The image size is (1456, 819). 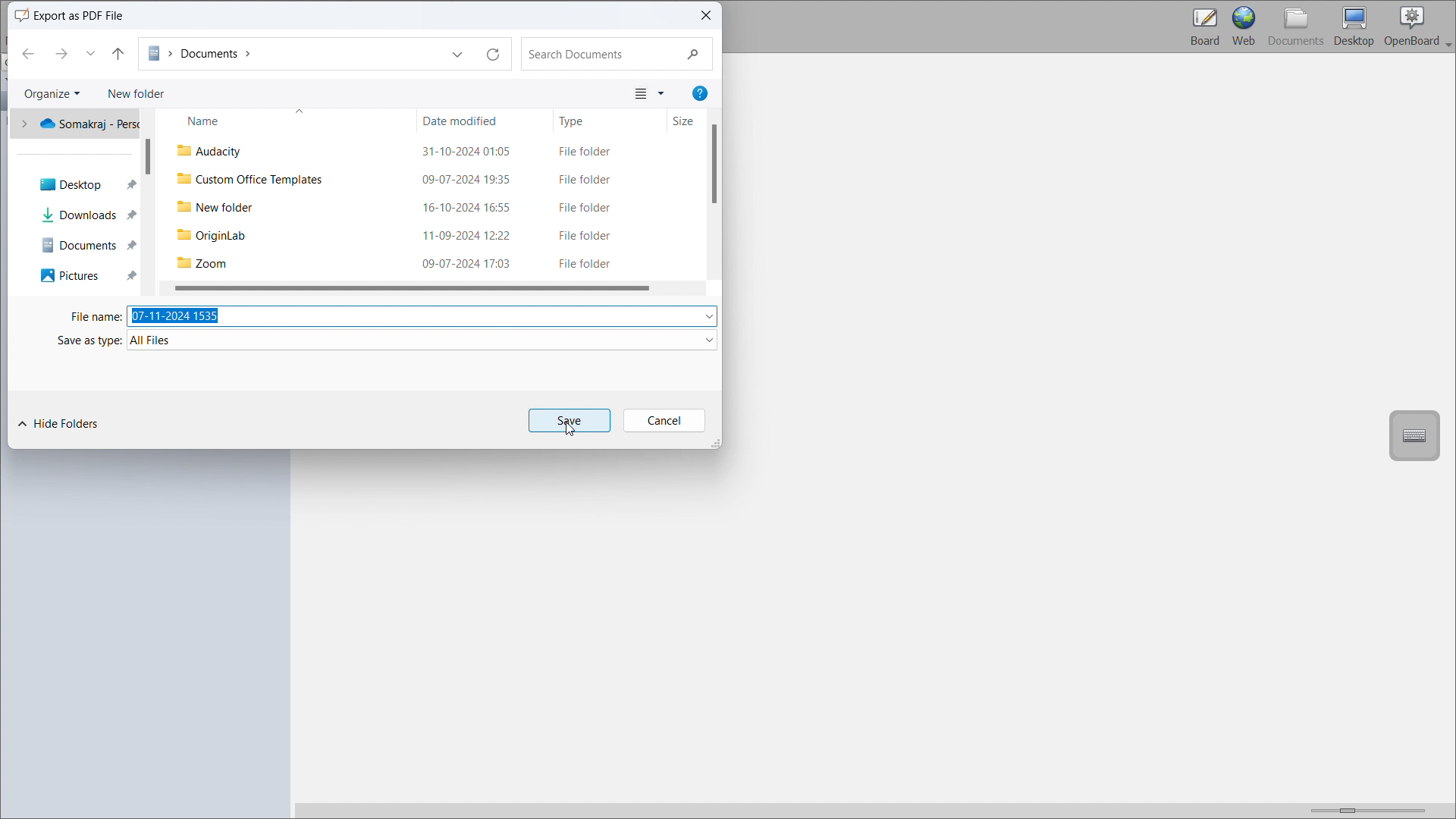 What do you see at coordinates (133, 233) in the screenshot?
I see `Pin ` at bounding box center [133, 233].